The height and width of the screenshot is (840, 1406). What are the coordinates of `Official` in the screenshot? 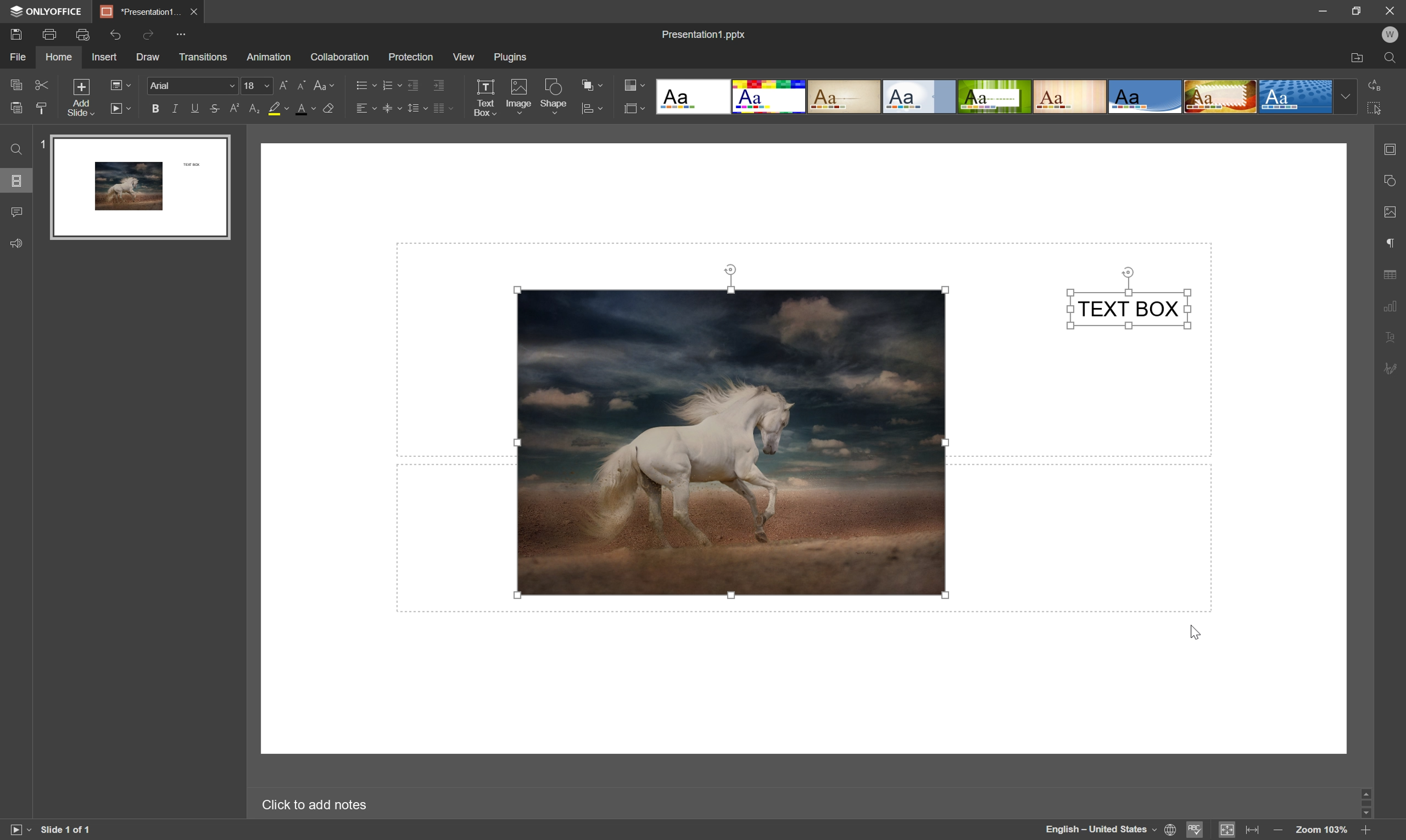 It's located at (919, 98).